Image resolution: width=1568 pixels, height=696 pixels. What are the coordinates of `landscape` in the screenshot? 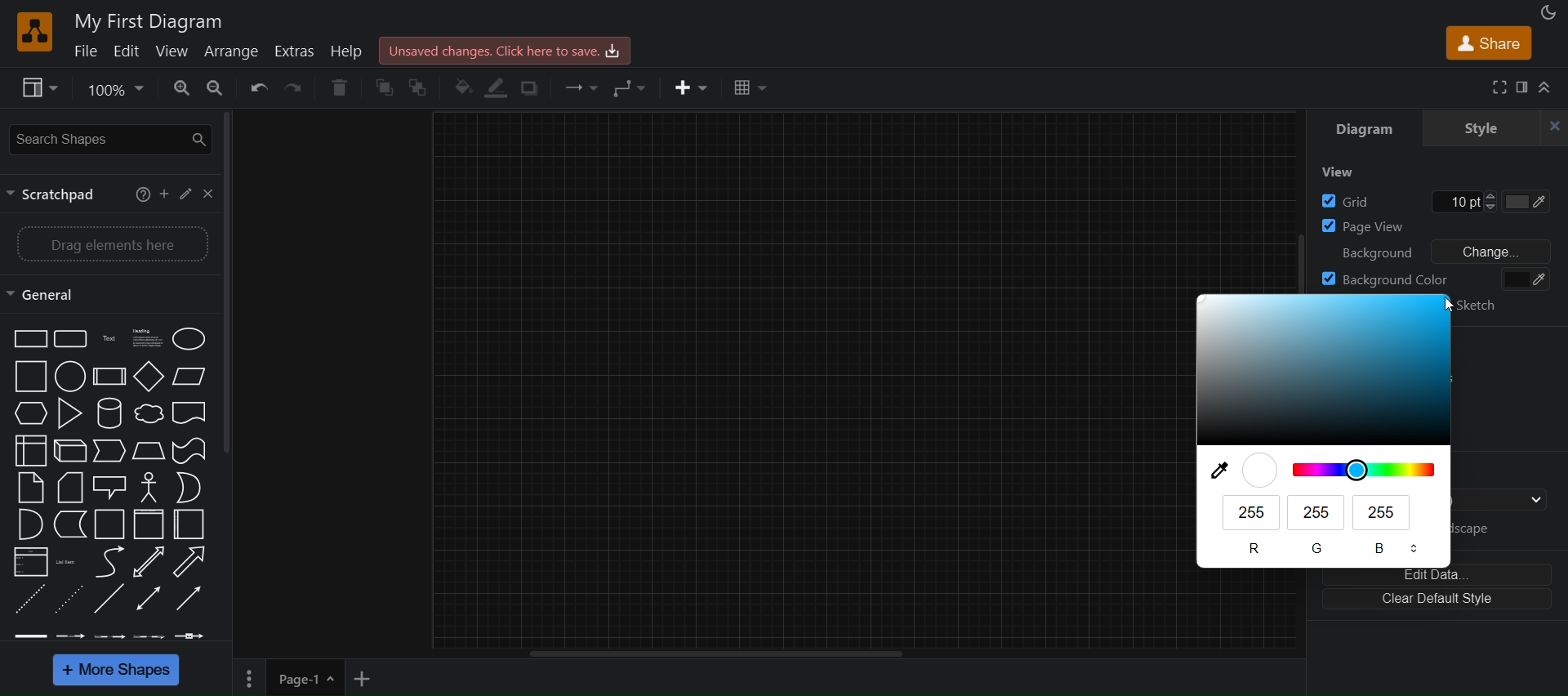 It's located at (1483, 530).